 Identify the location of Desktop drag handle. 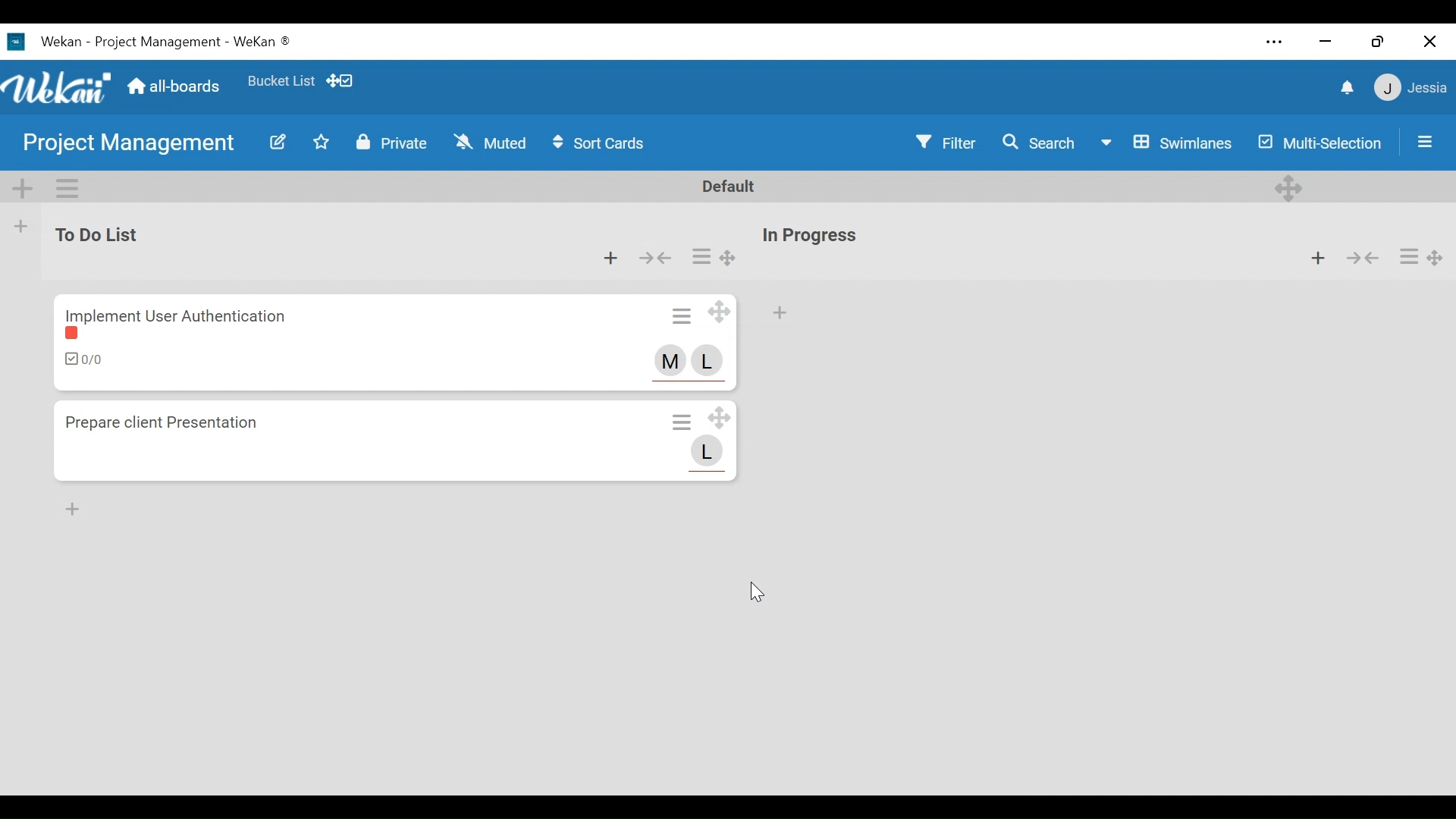
(720, 417).